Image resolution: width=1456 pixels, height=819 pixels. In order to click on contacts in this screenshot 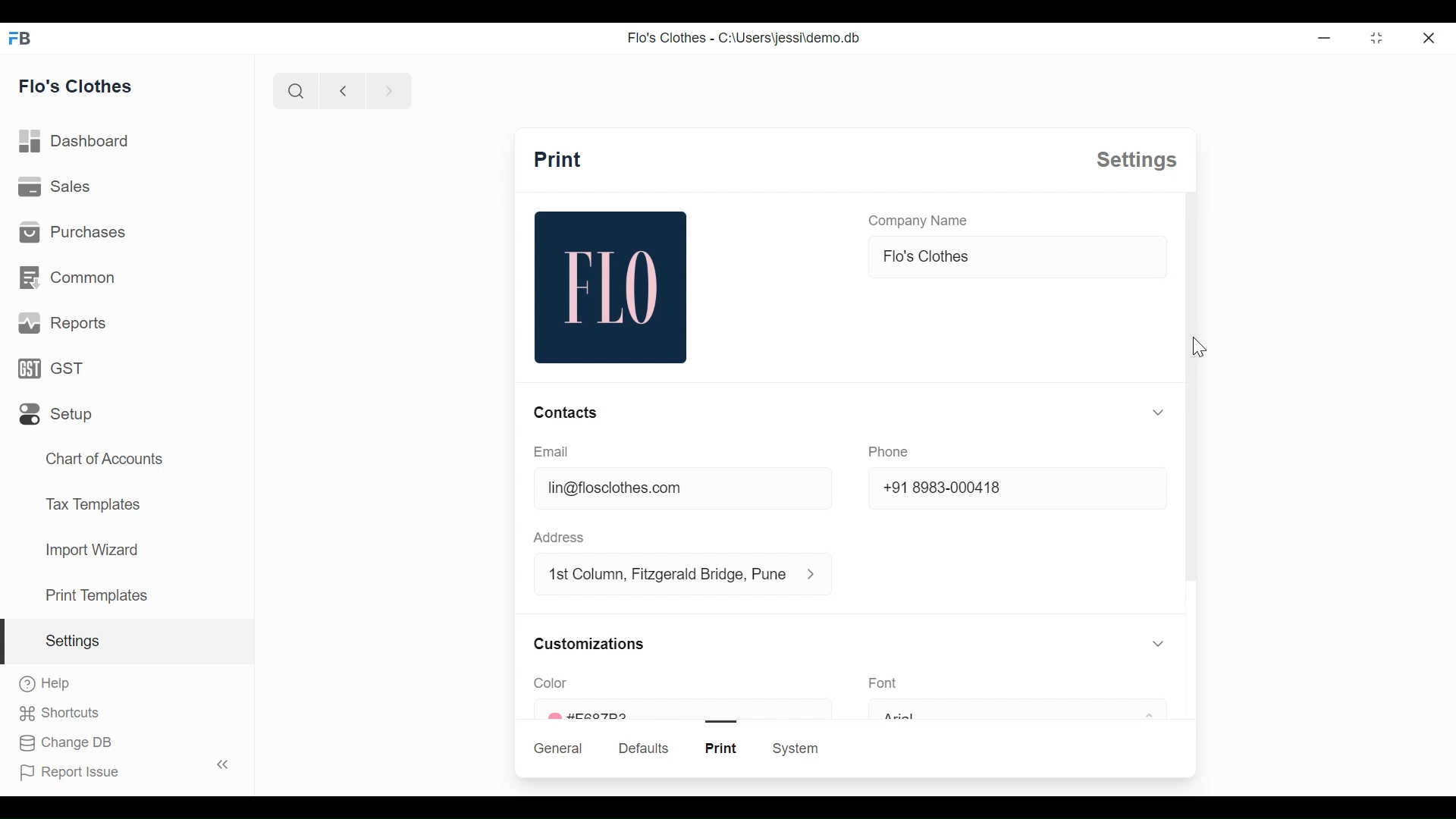, I will do `click(567, 413)`.